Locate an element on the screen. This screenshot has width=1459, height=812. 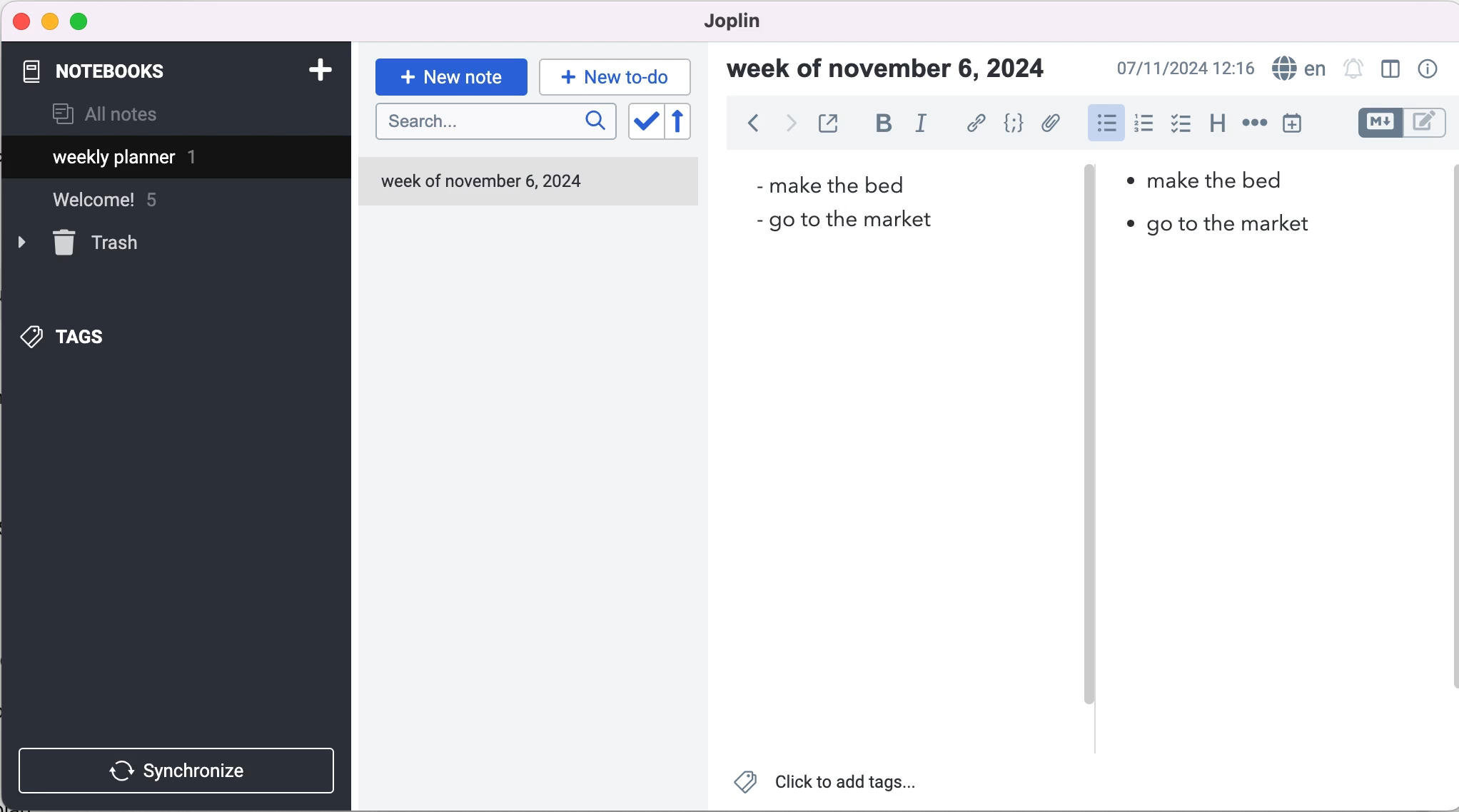
- make the bed is located at coordinates (834, 183).